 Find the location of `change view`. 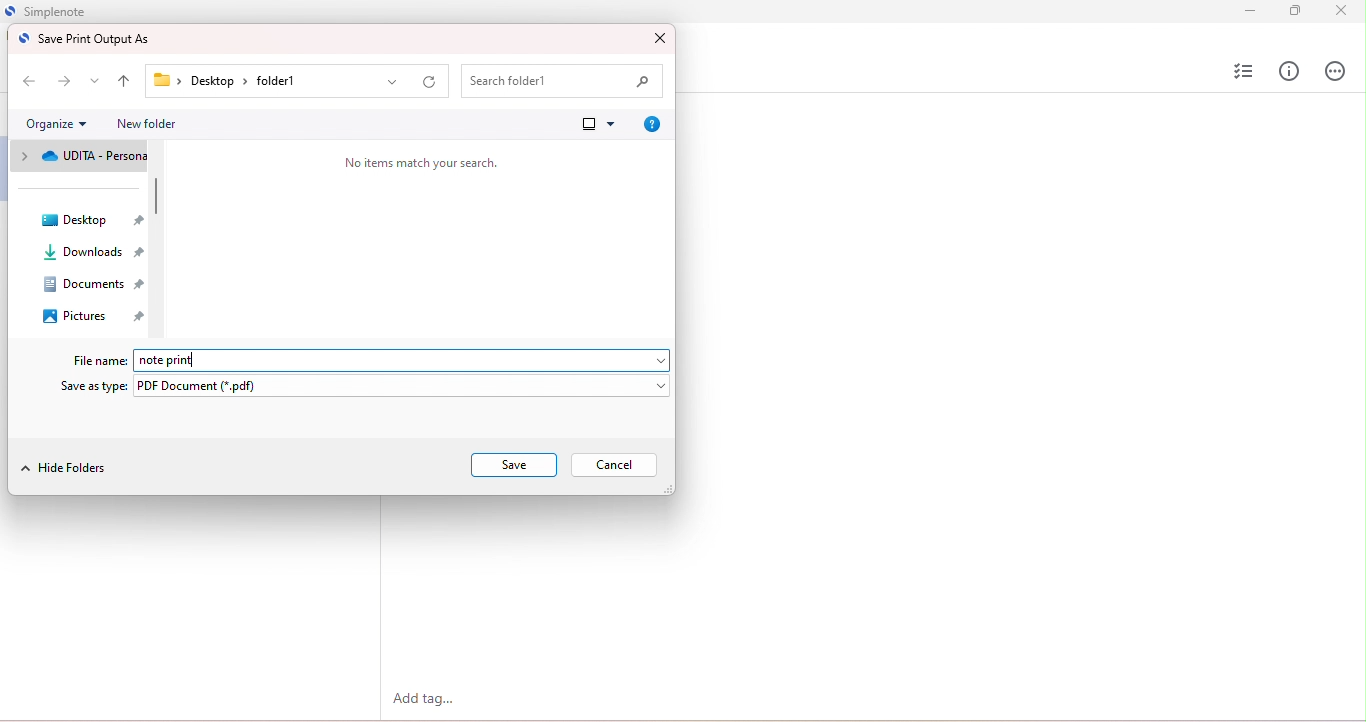

change view is located at coordinates (596, 123).